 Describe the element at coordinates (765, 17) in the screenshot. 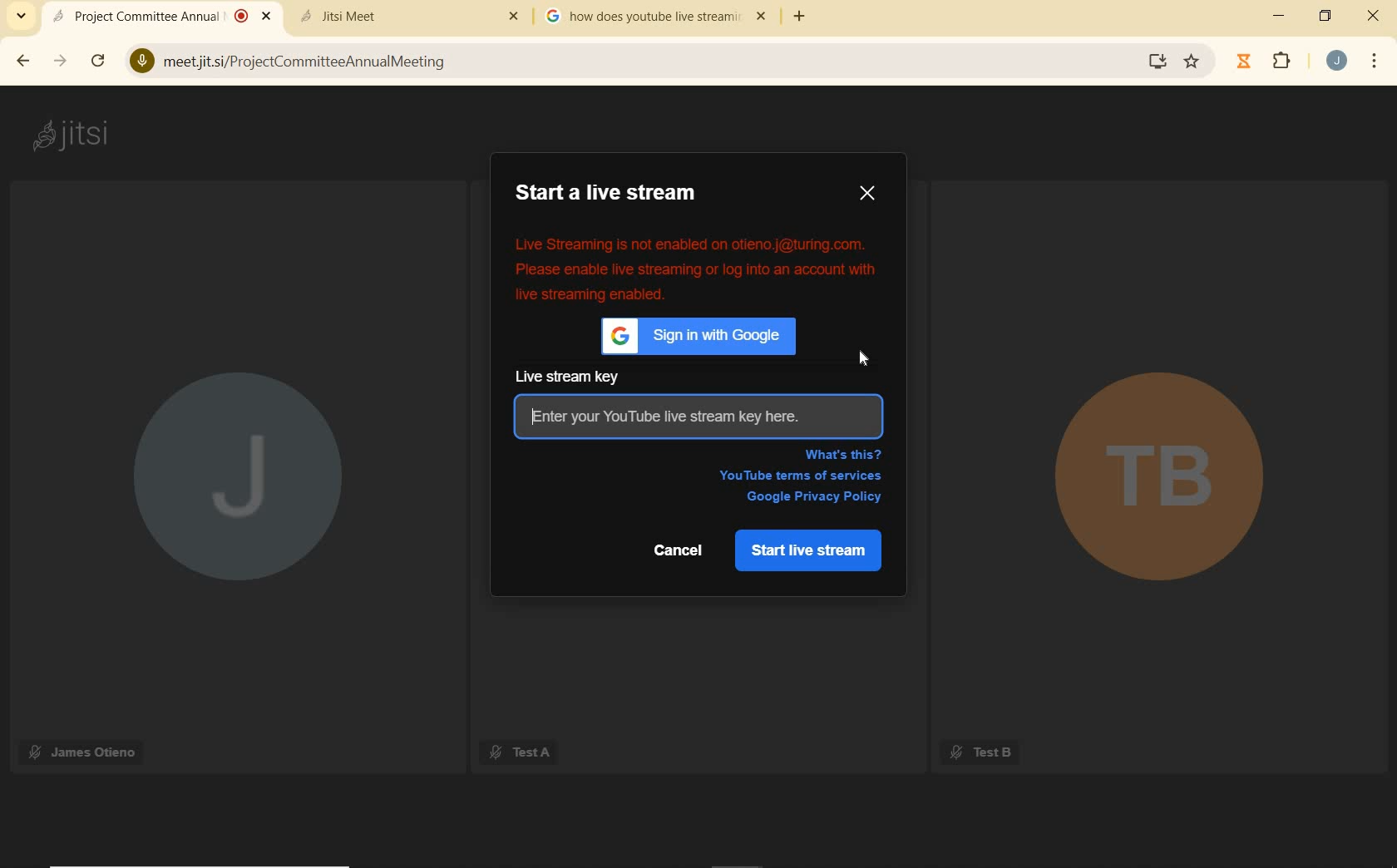

I see `close` at that location.